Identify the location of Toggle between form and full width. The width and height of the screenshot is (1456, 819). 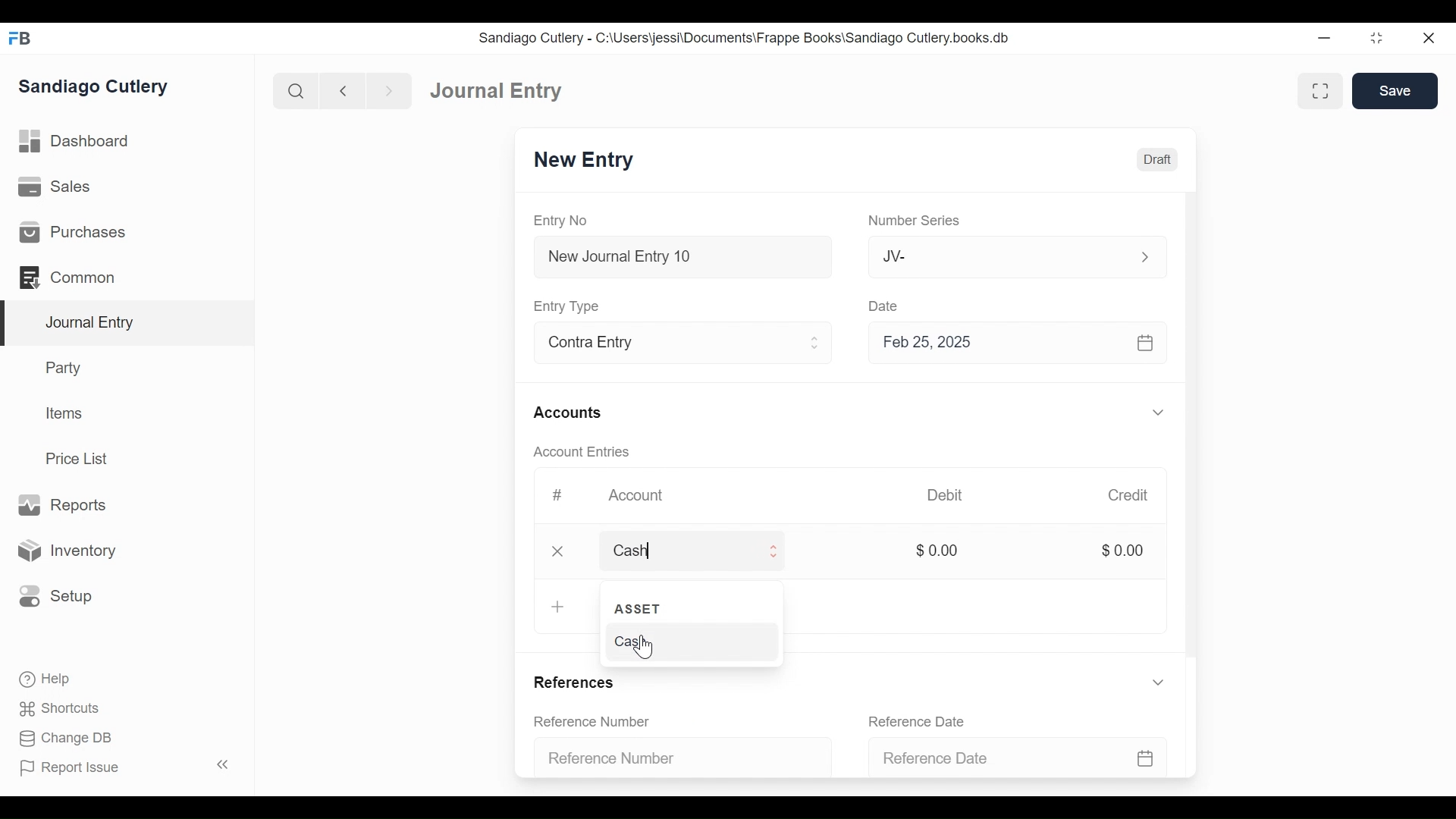
(1318, 89).